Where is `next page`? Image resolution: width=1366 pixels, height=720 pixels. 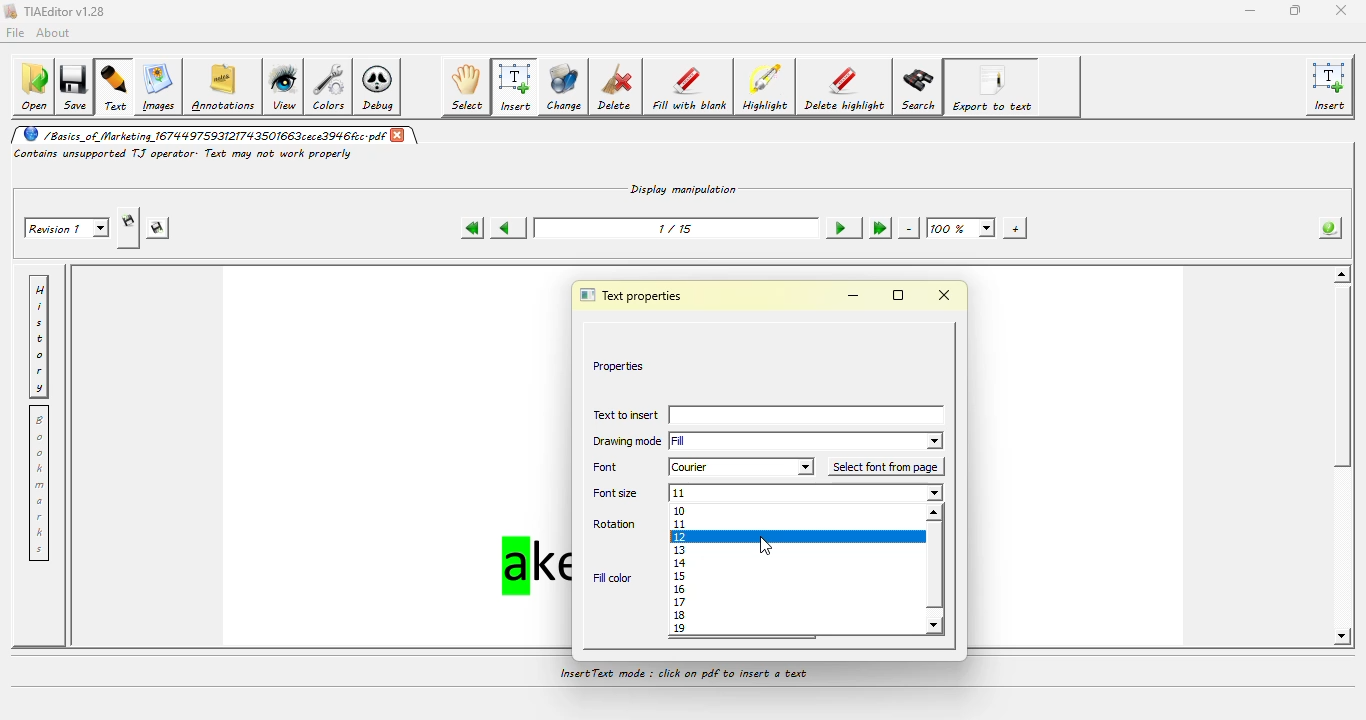
next page is located at coordinates (838, 227).